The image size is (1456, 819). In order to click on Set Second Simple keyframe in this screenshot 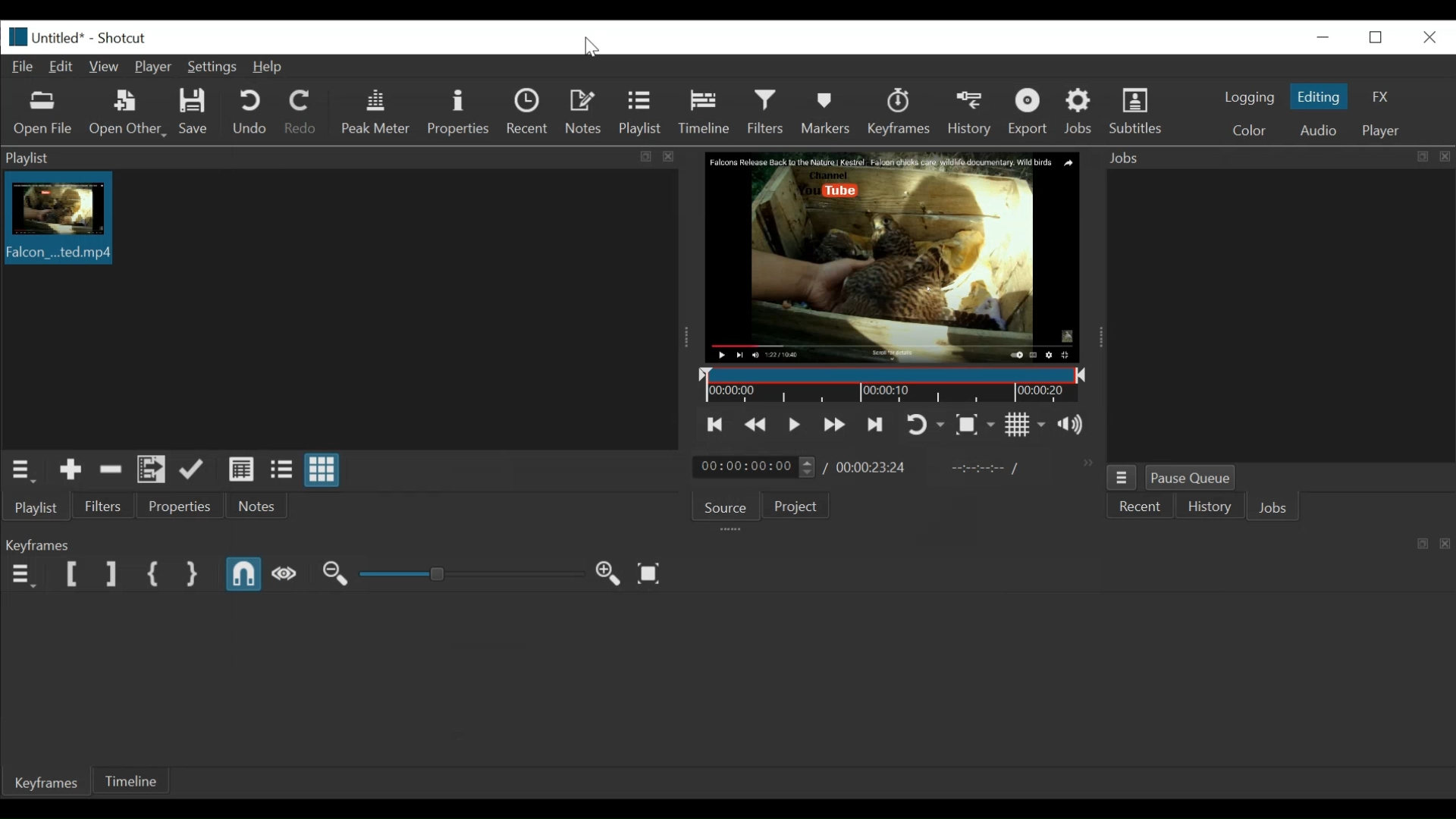, I will do `click(190, 576)`.